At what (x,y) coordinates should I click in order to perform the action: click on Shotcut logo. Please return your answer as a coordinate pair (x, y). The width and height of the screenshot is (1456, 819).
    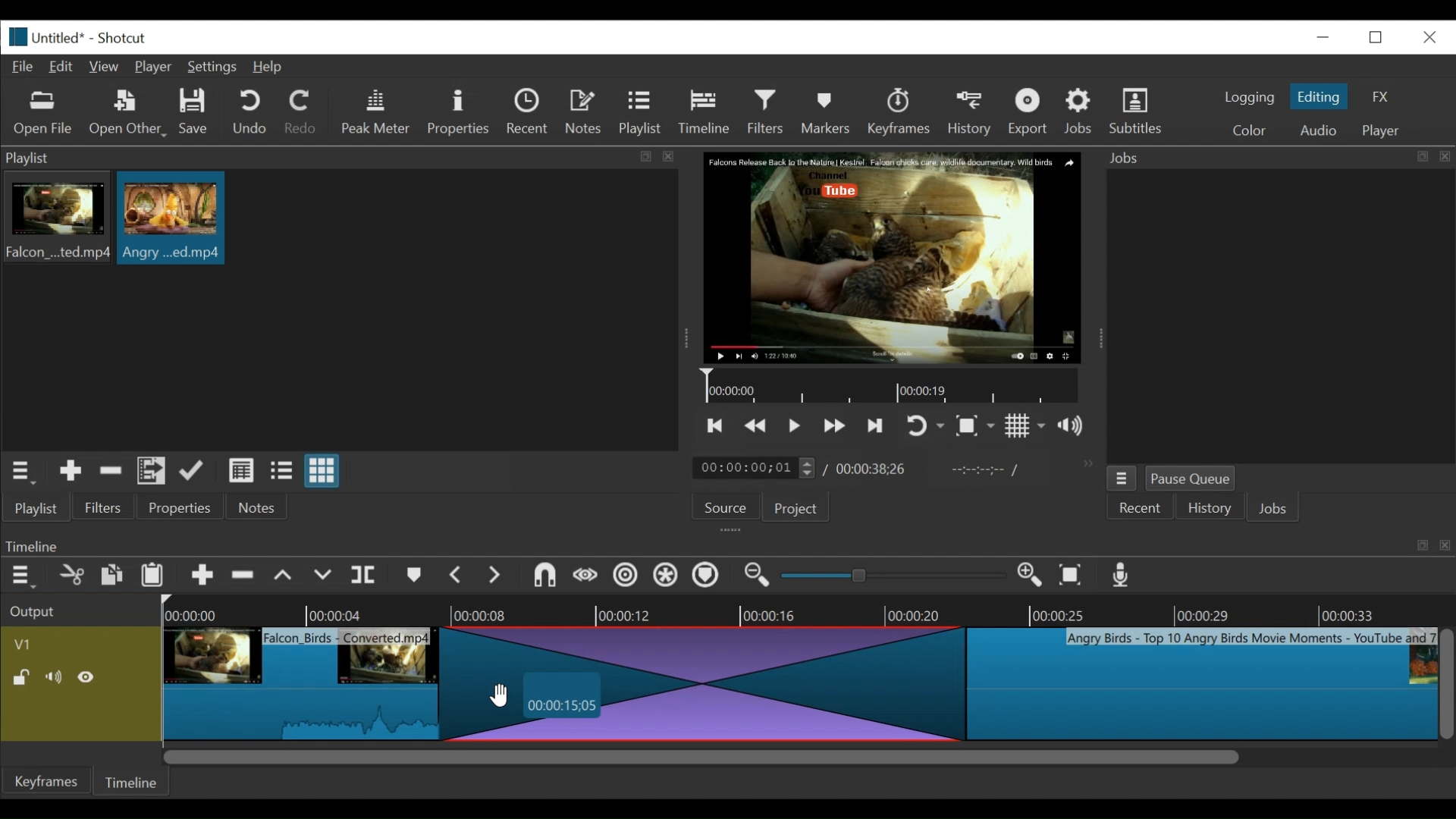
    Looking at the image, I should click on (14, 35).